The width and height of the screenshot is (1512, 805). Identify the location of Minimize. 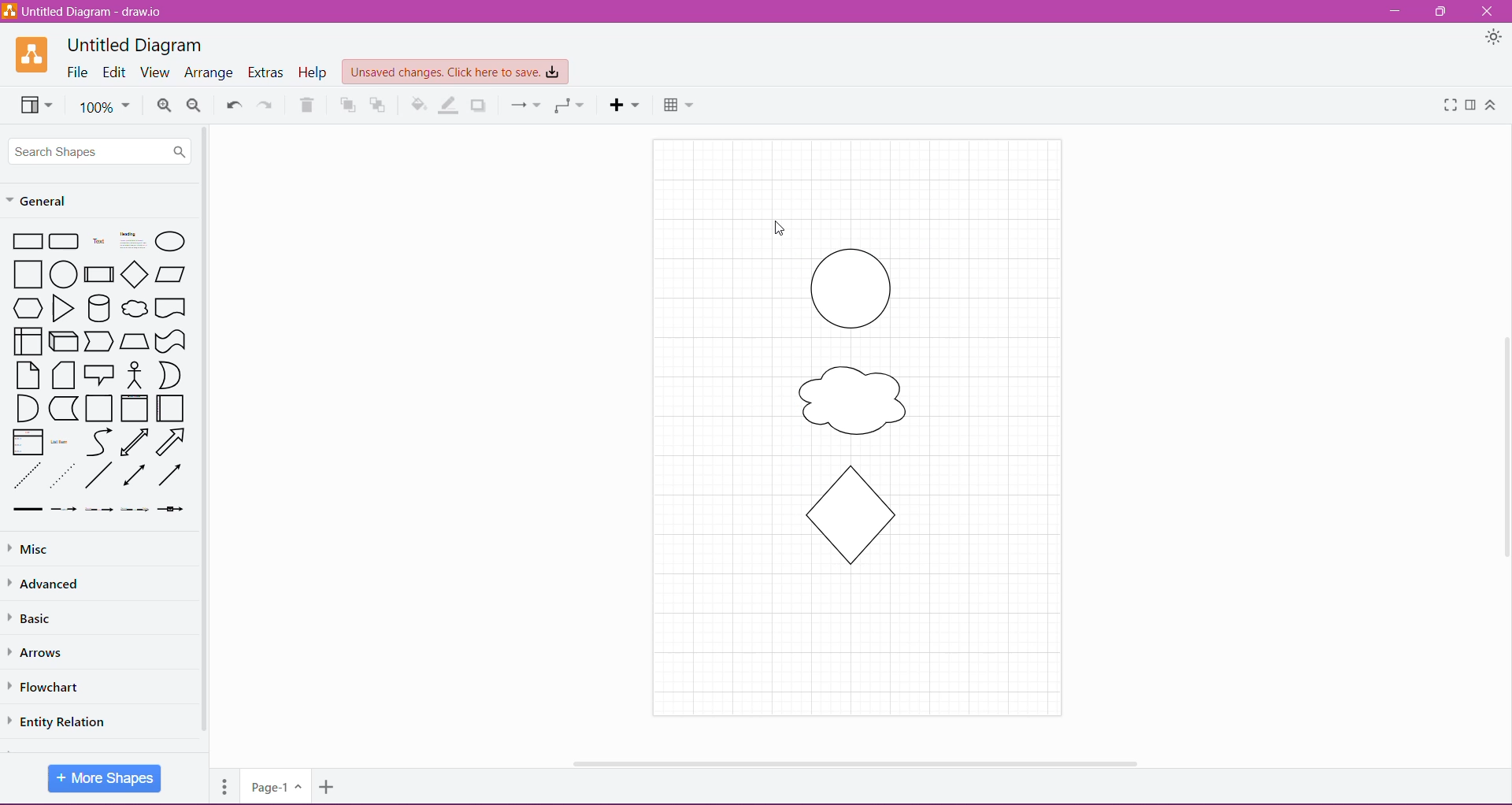
(1395, 12).